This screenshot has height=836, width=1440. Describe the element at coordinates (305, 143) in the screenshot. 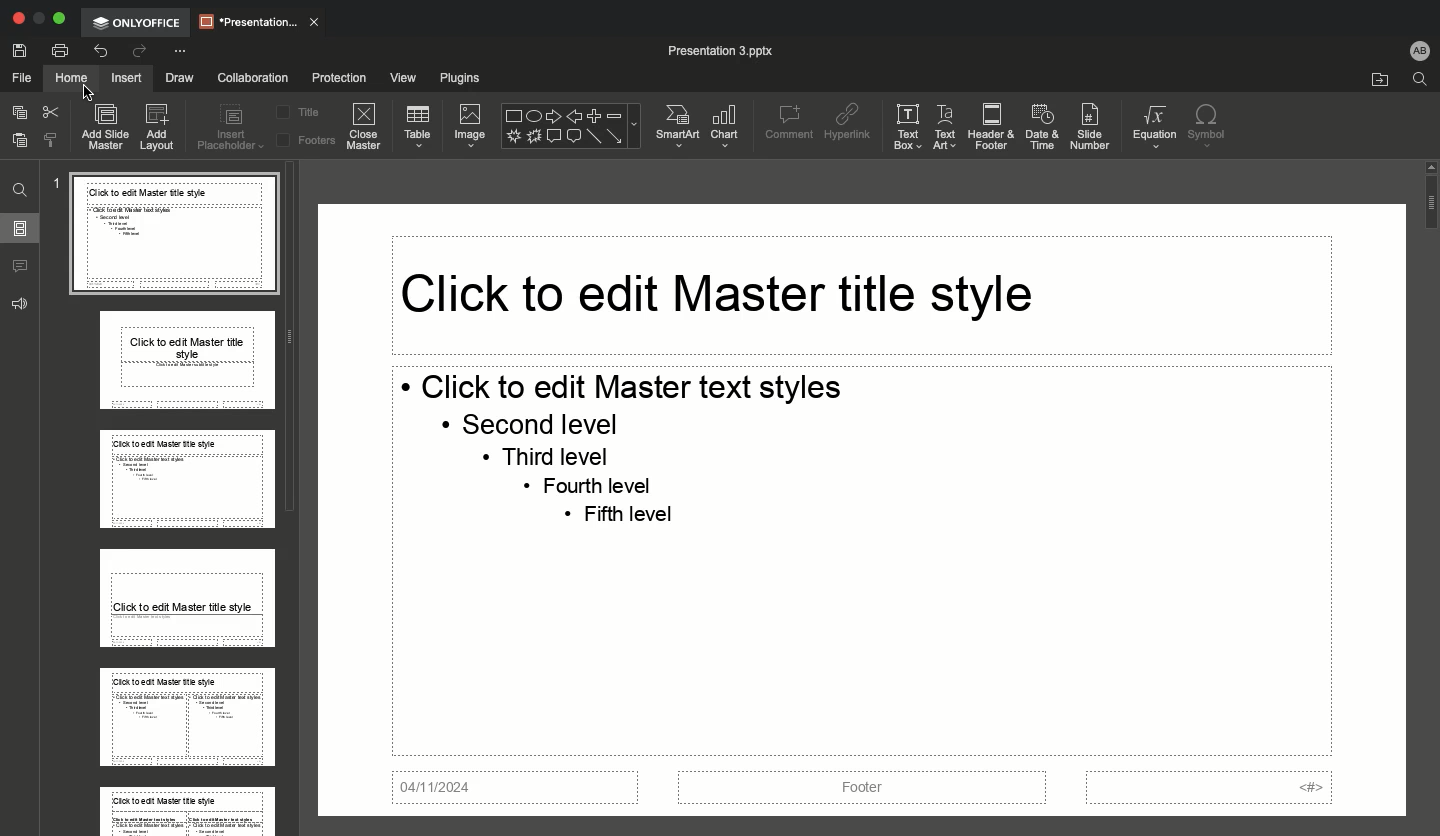

I see `Footers` at that location.